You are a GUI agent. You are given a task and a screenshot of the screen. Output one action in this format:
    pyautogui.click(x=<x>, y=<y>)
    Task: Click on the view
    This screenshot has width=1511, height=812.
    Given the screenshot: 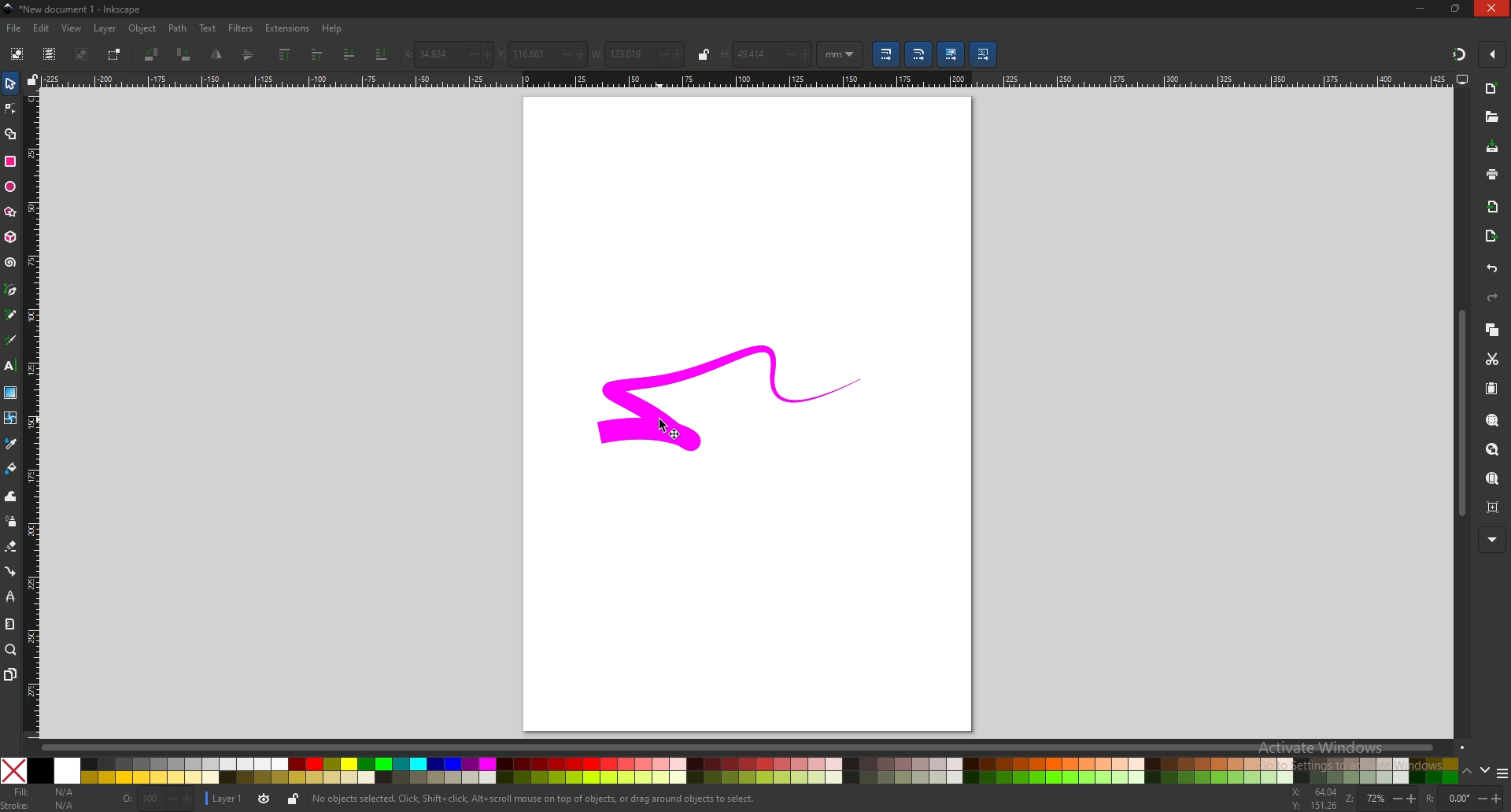 What is the action you would take?
    pyautogui.click(x=72, y=28)
    